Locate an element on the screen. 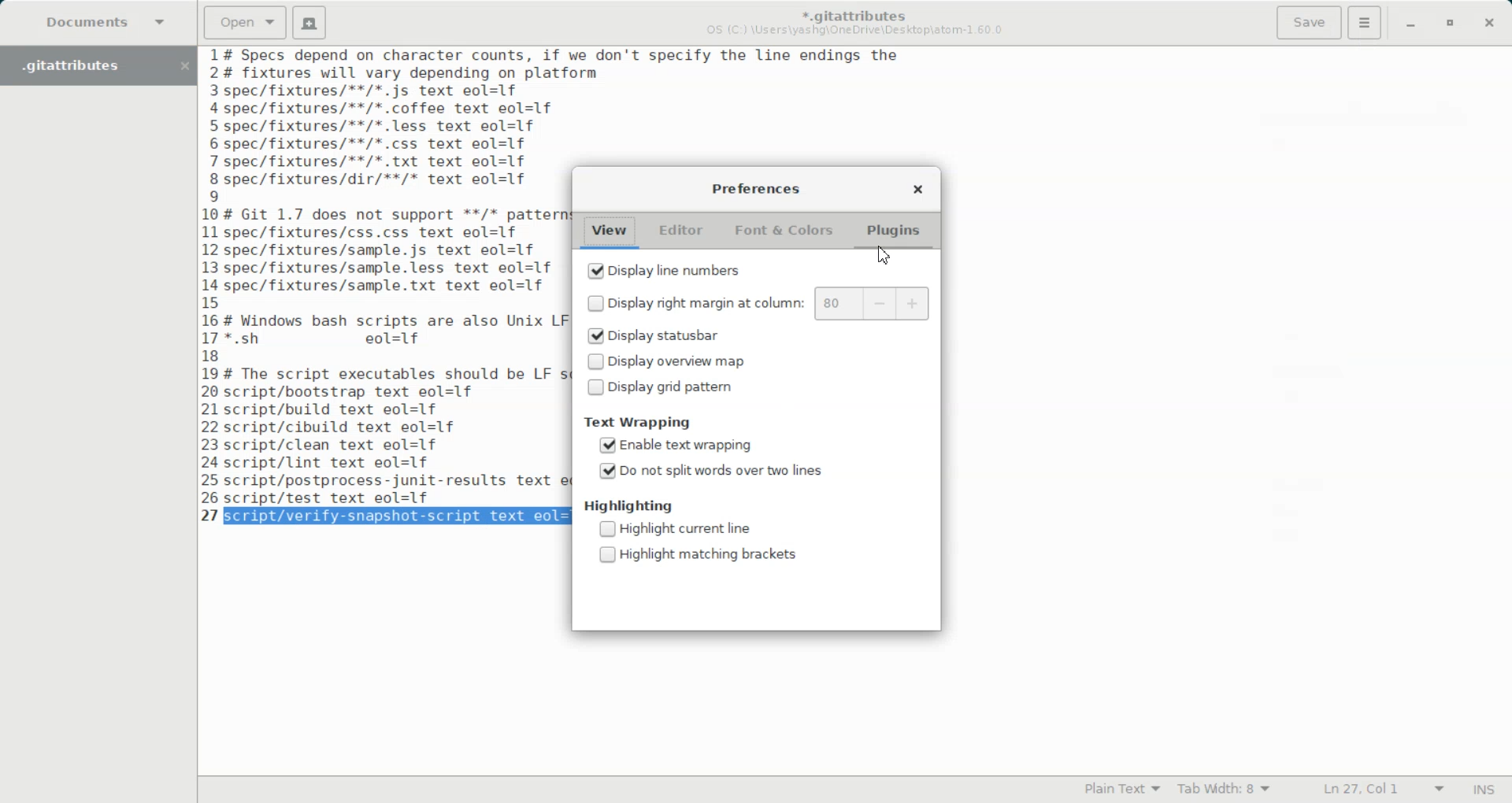  View (selected) is located at coordinates (610, 232).